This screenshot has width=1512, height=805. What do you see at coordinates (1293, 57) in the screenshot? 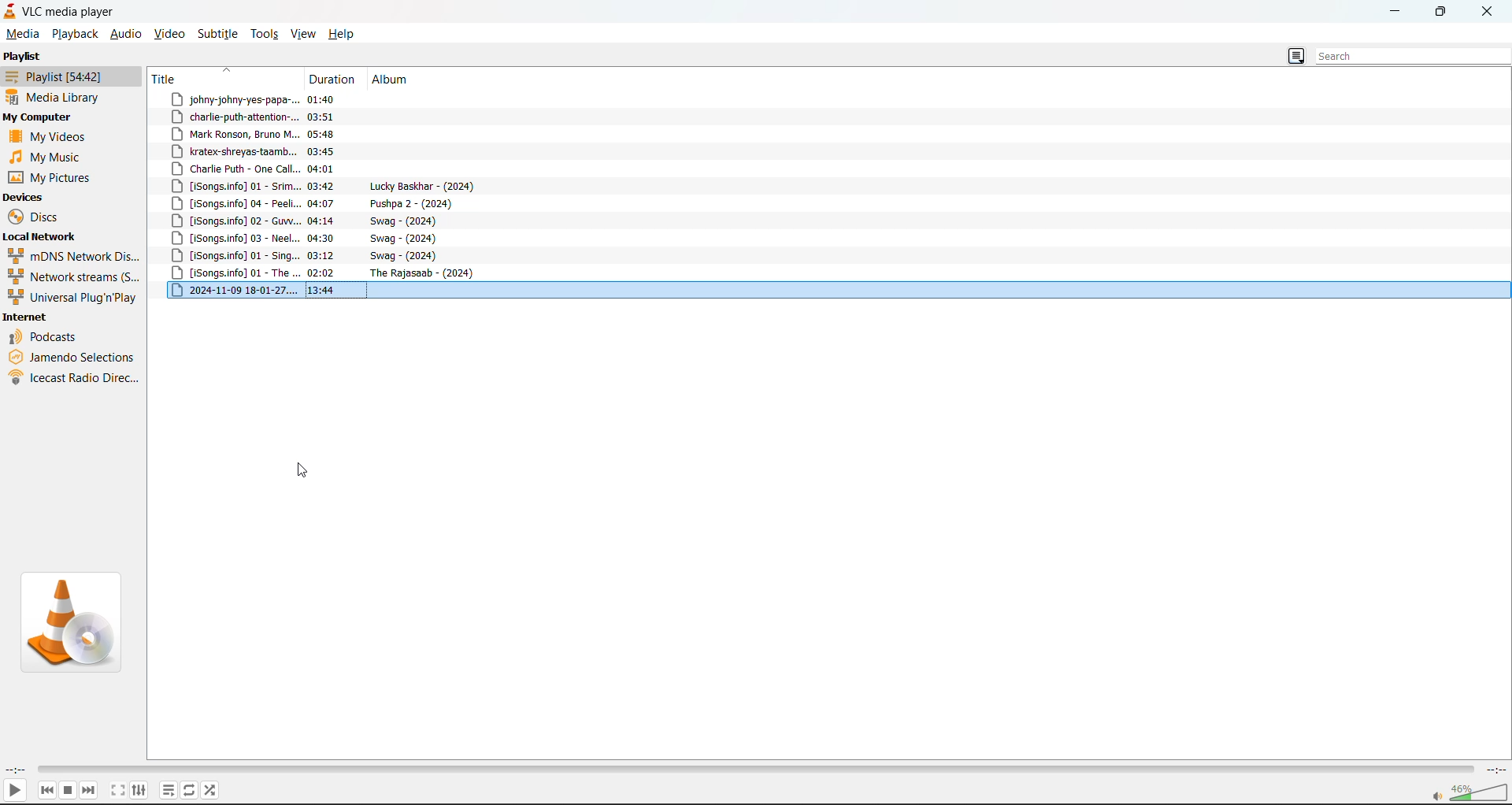
I see `change view` at bounding box center [1293, 57].